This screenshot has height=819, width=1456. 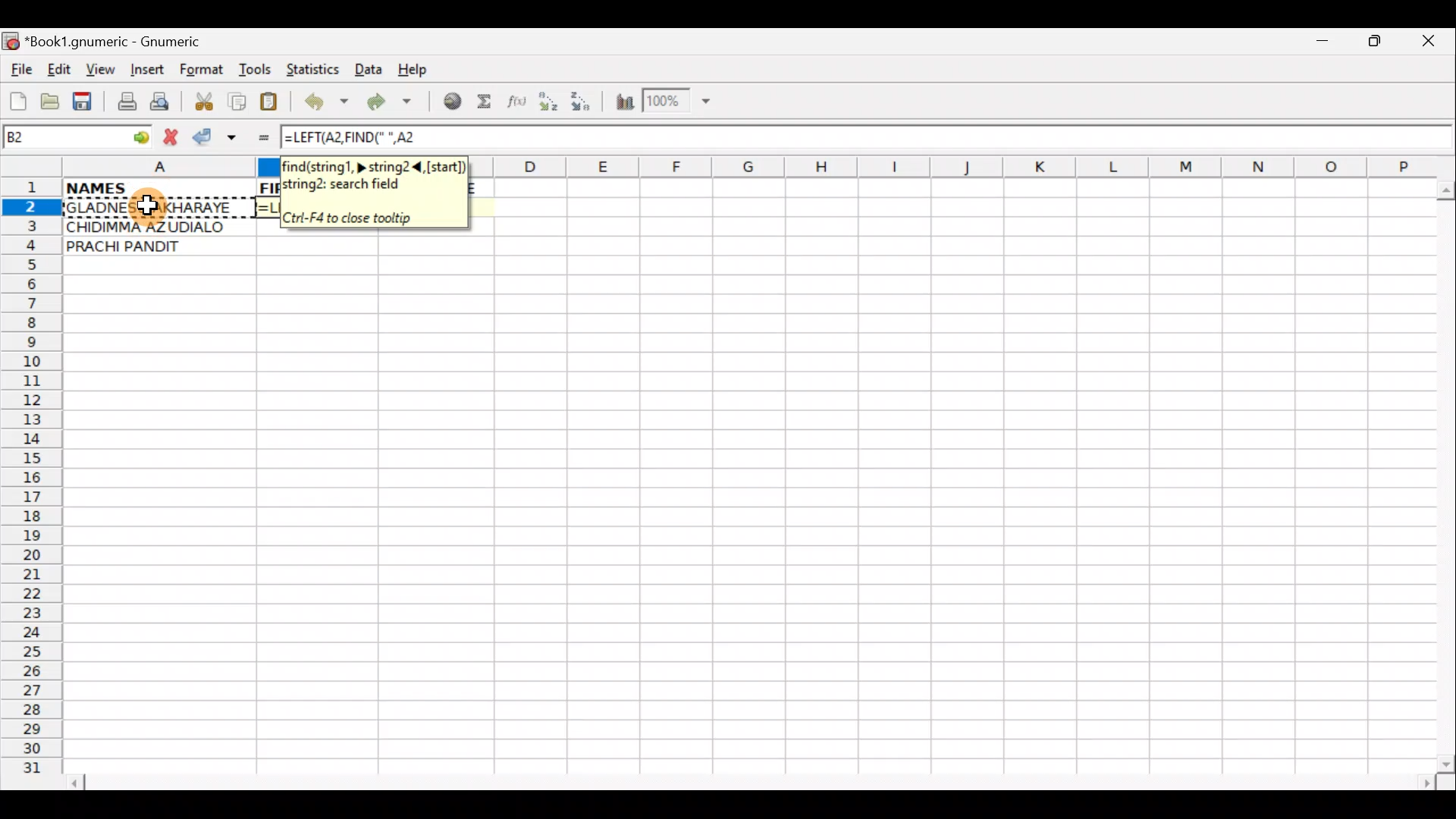 What do you see at coordinates (238, 101) in the screenshot?
I see `Copy selection` at bounding box center [238, 101].